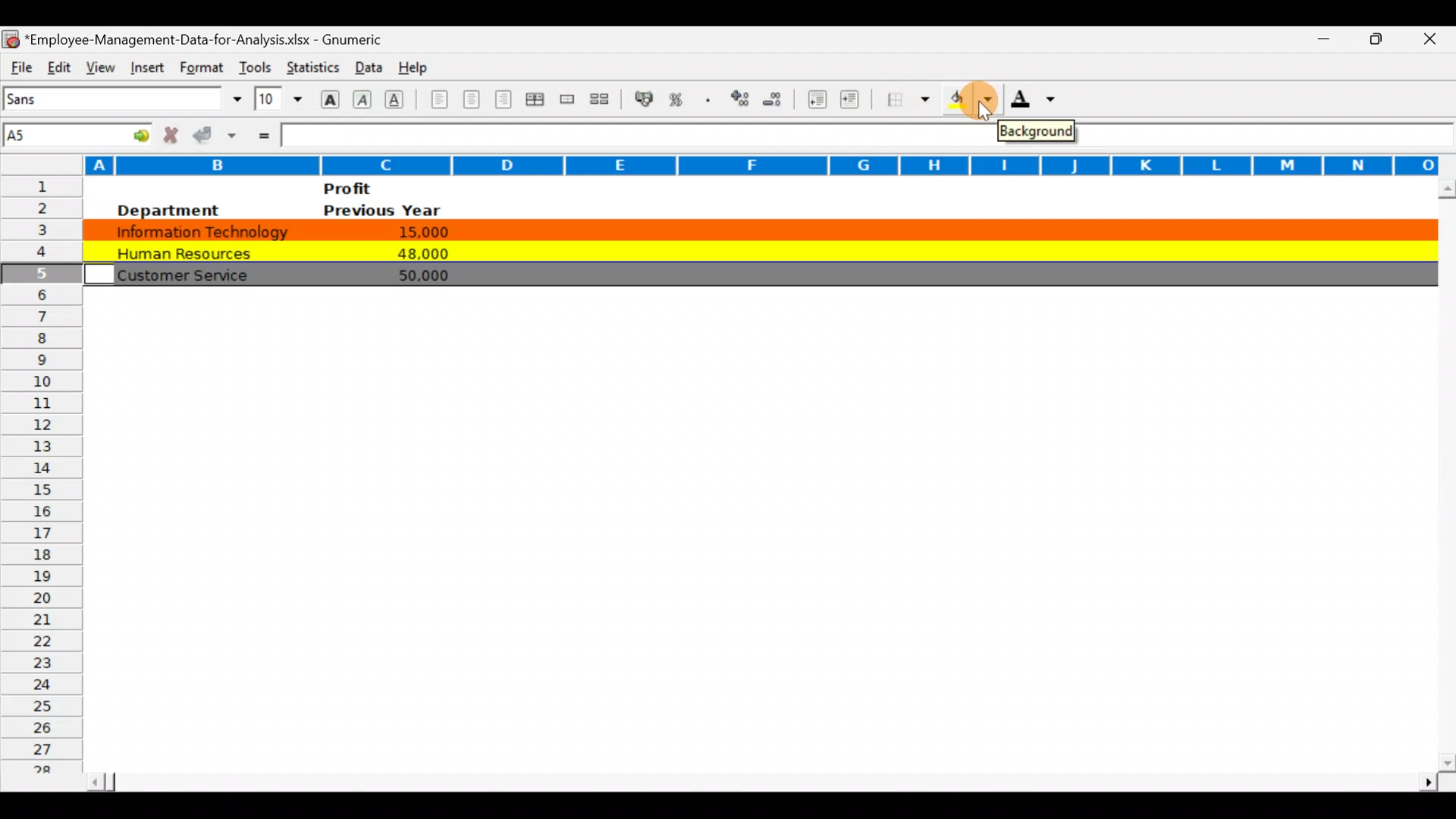 The height and width of the screenshot is (819, 1456). I want to click on Cancel change, so click(174, 134).